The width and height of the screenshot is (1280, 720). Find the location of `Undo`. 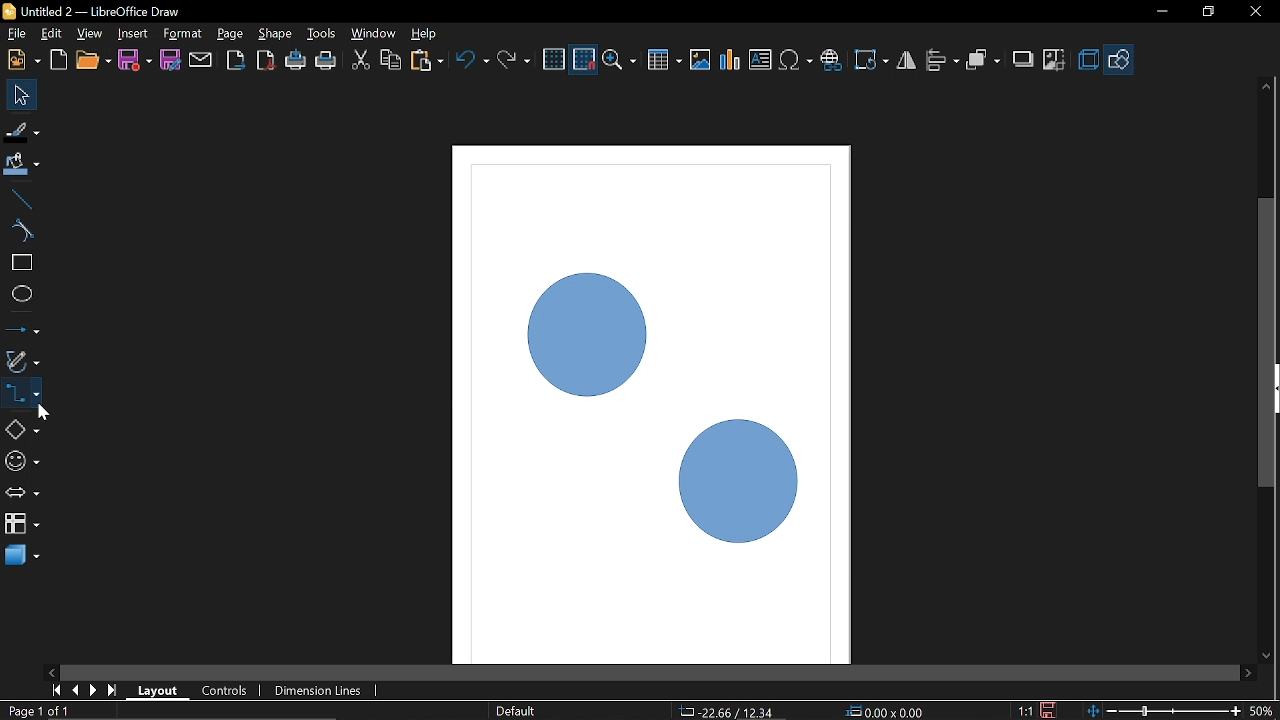

Undo is located at coordinates (472, 59).